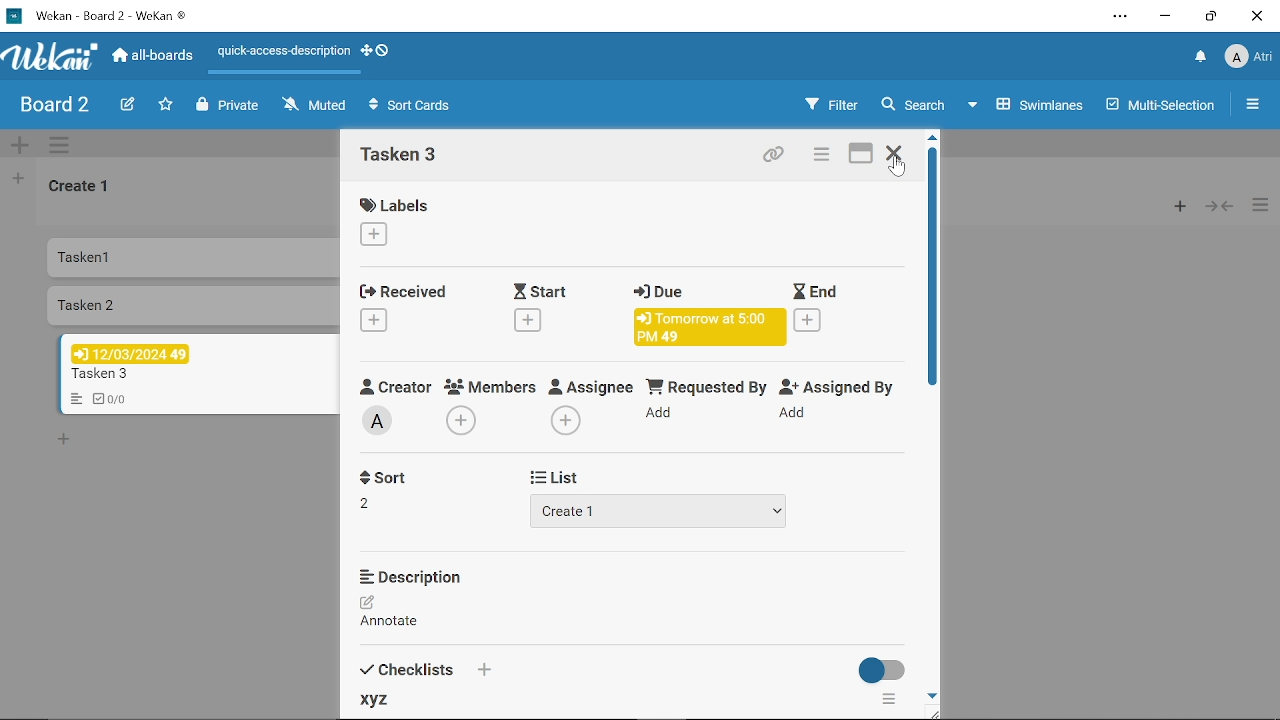  Describe the element at coordinates (80, 185) in the screenshot. I see `Create 1` at that location.